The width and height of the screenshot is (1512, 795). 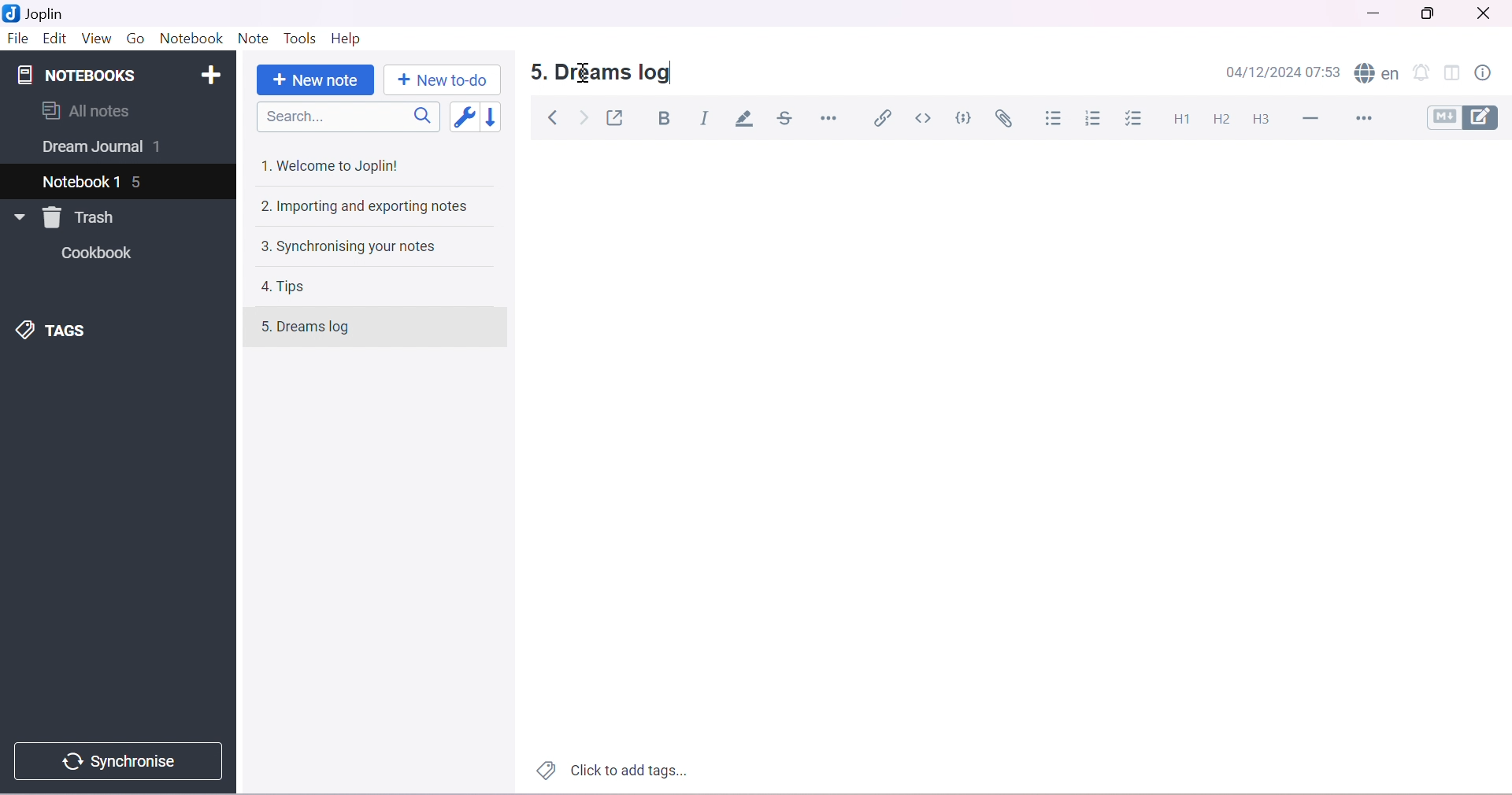 I want to click on Numbered list, so click(x=1094, y=120).